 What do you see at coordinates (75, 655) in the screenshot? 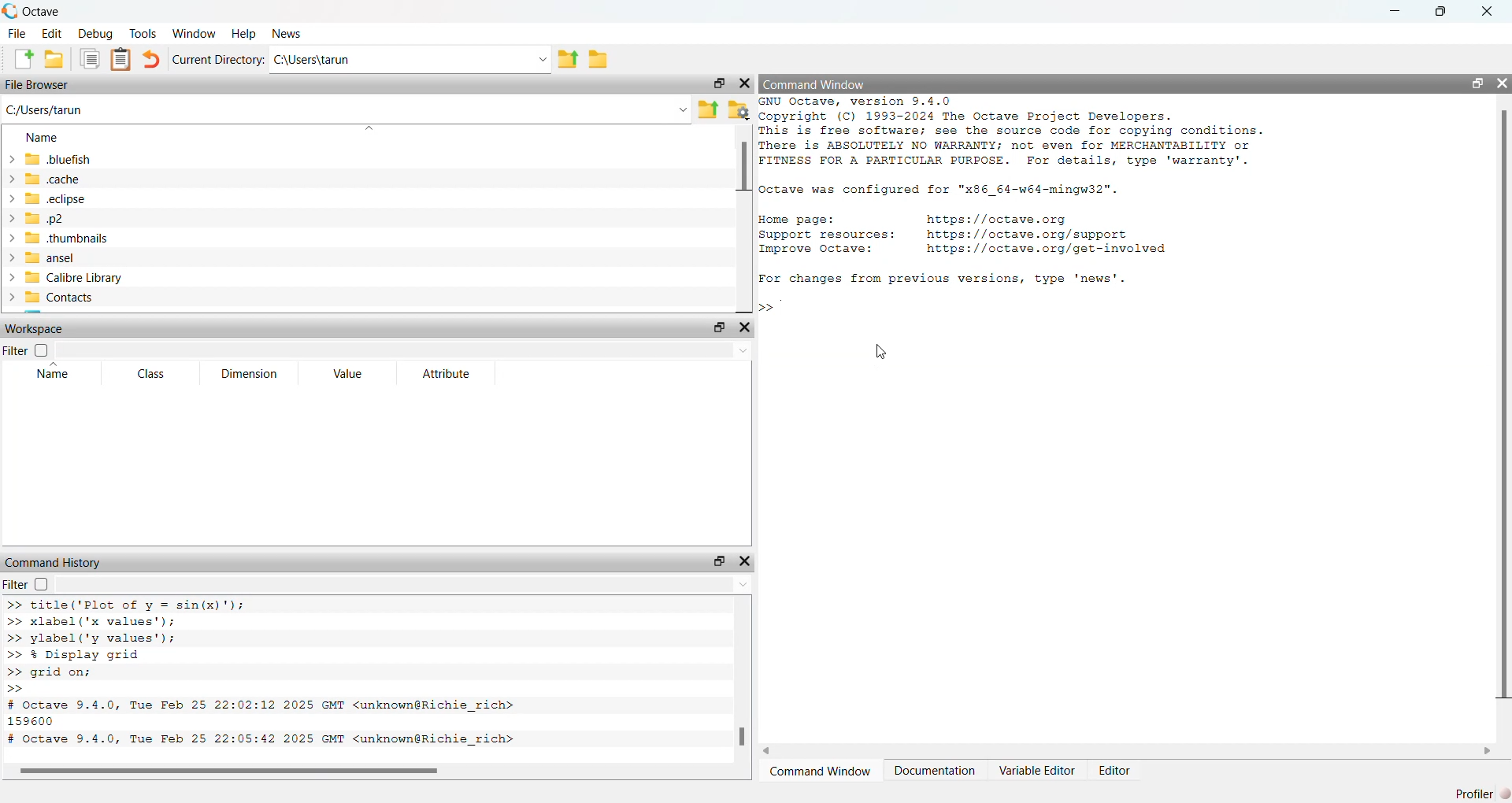
I see `>> % Display grid` at bounding box center [75, 655].